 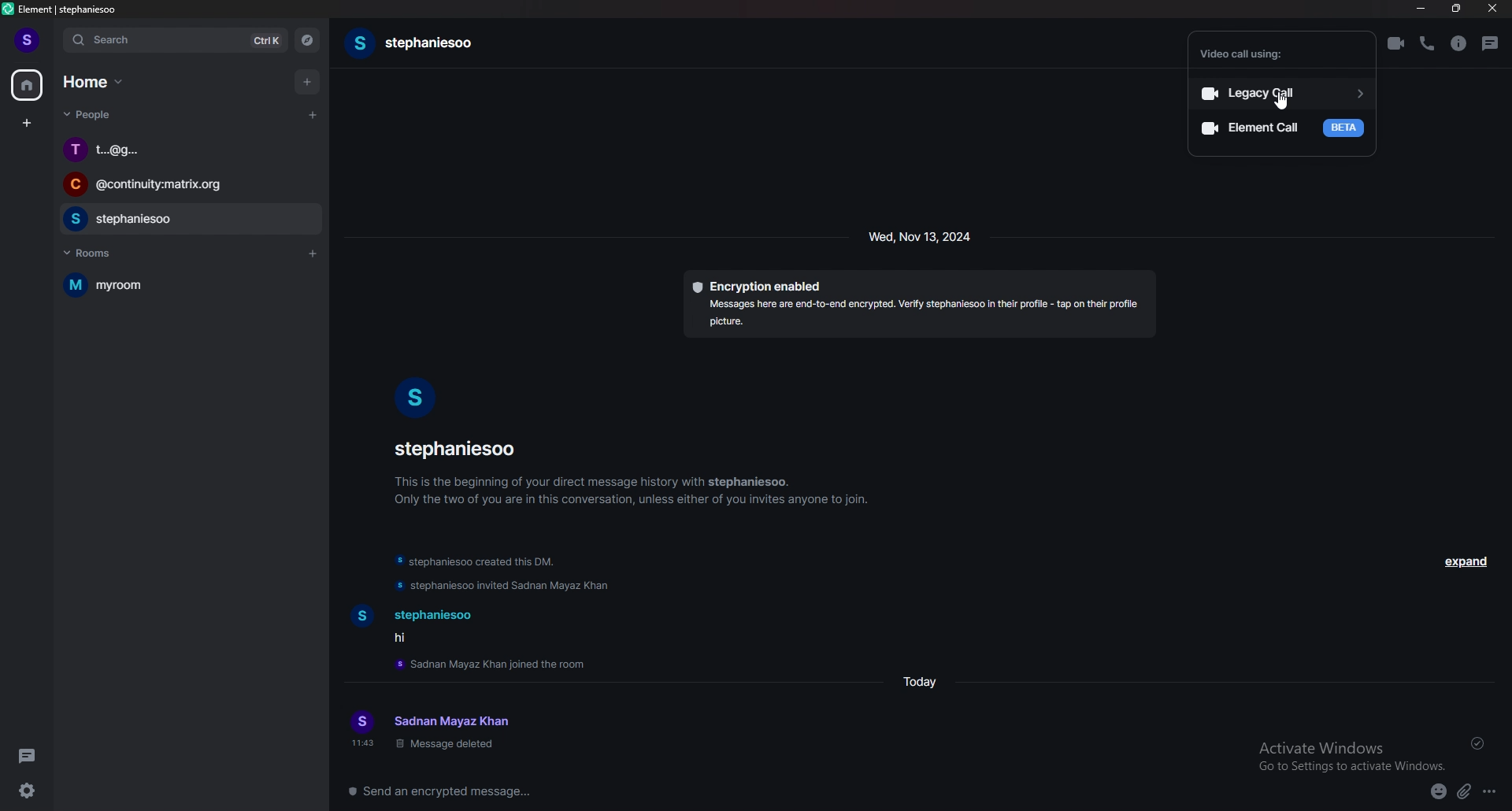 What do you see at coordinates (460, 449) in the screenshot?
I see `username` at bounding box center [460, 449].